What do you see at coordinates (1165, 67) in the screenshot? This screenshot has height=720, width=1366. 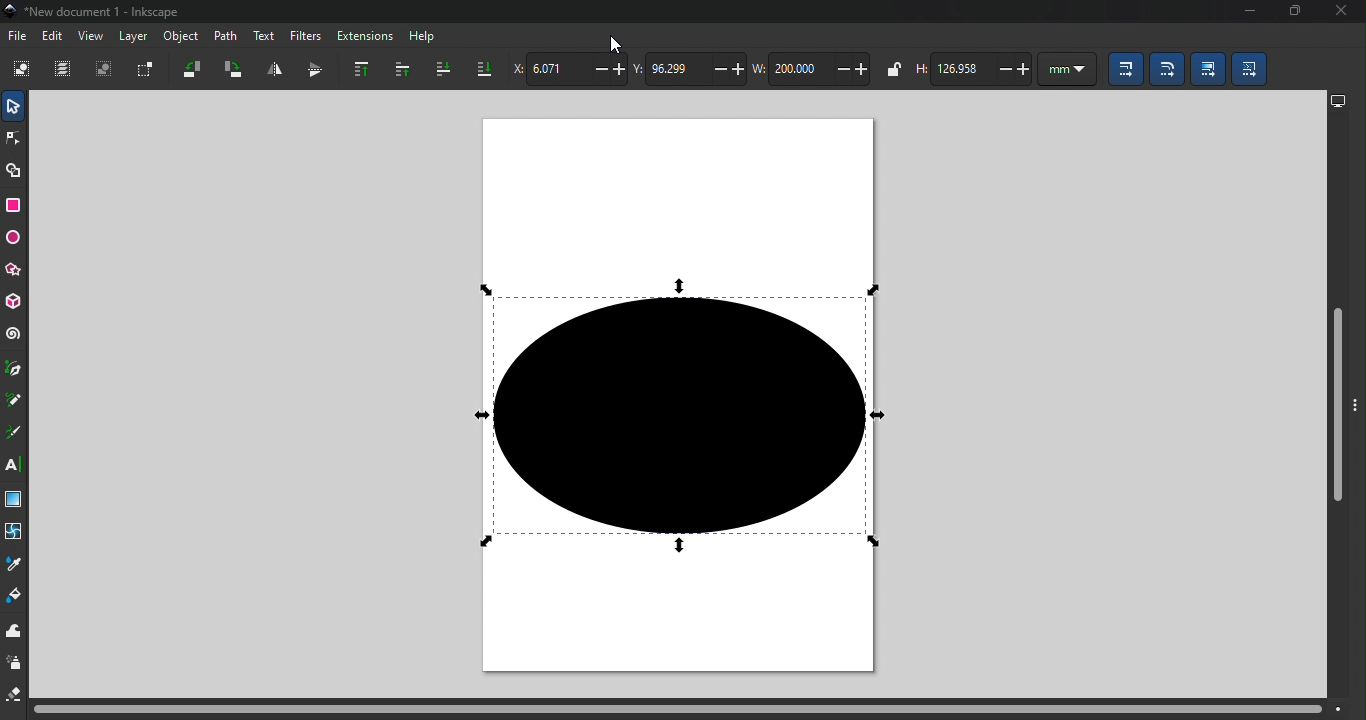 I see `When scaling rectangles, scale the radii of rounded corners` at bounding box center [1165, 67].